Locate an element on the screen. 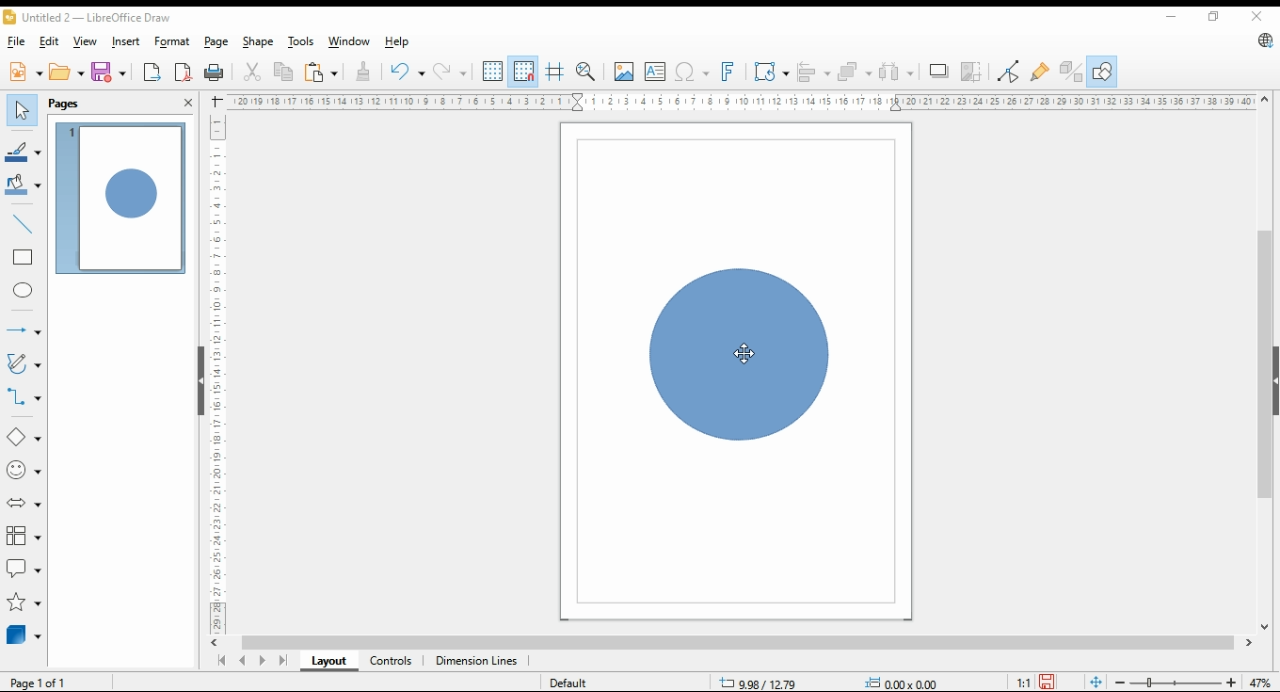 The width and height of the screenshot is (1280, 692). copy is located at coordinates (284, 72).